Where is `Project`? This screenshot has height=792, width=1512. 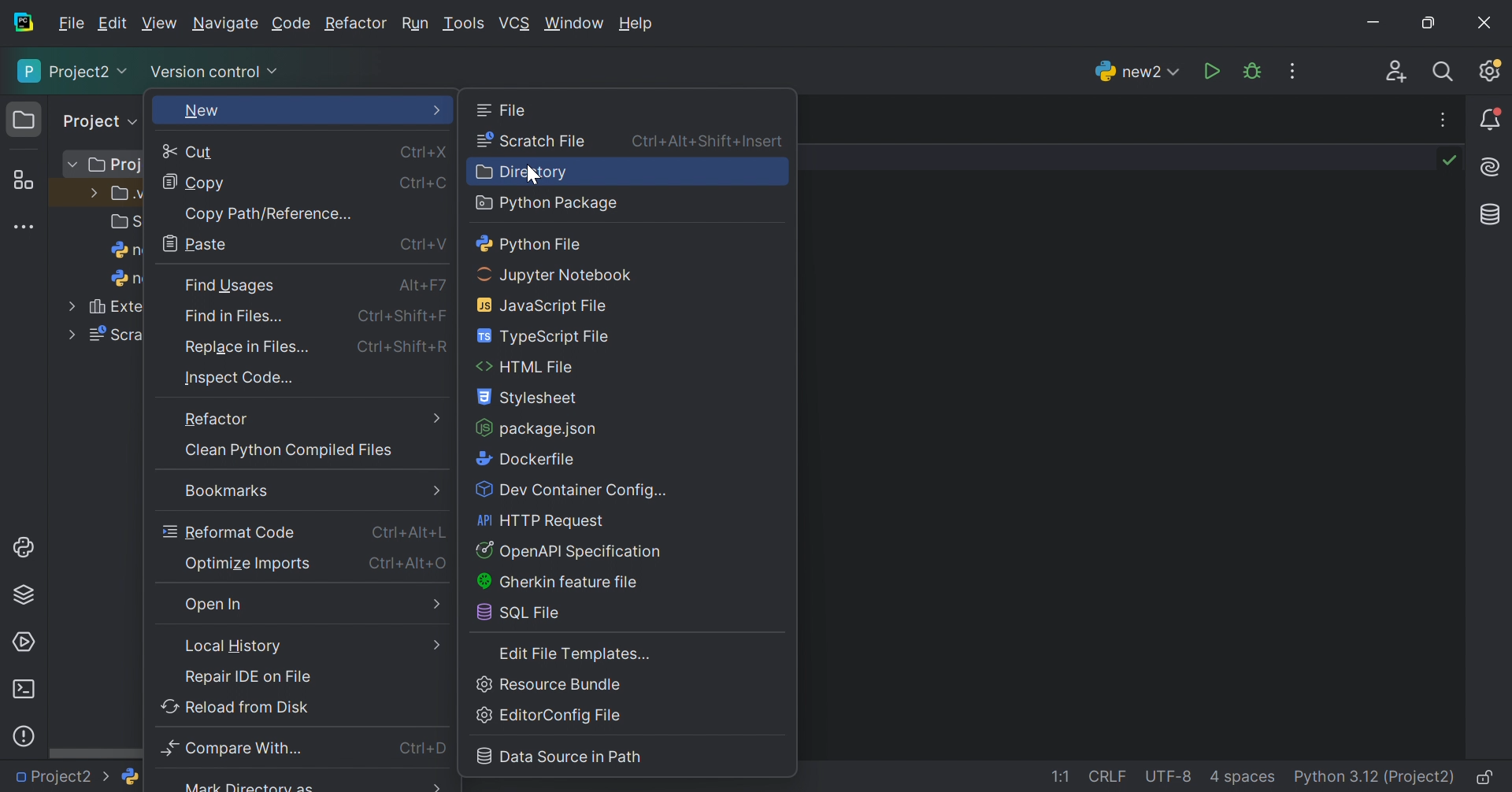 Project is located at coordinates (94, 121).